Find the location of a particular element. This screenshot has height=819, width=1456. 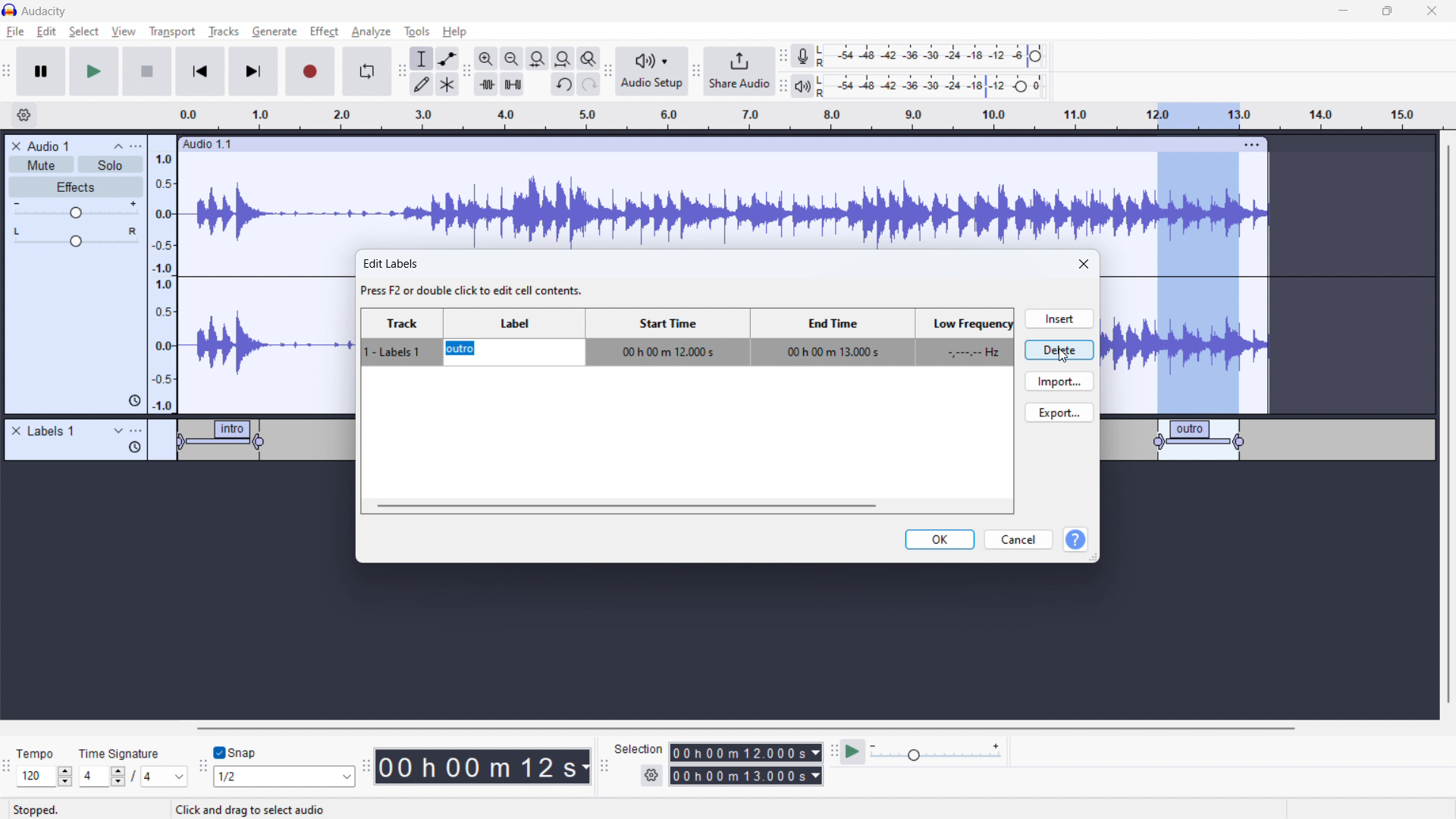

maximize is located at coordinates (1387, 11).